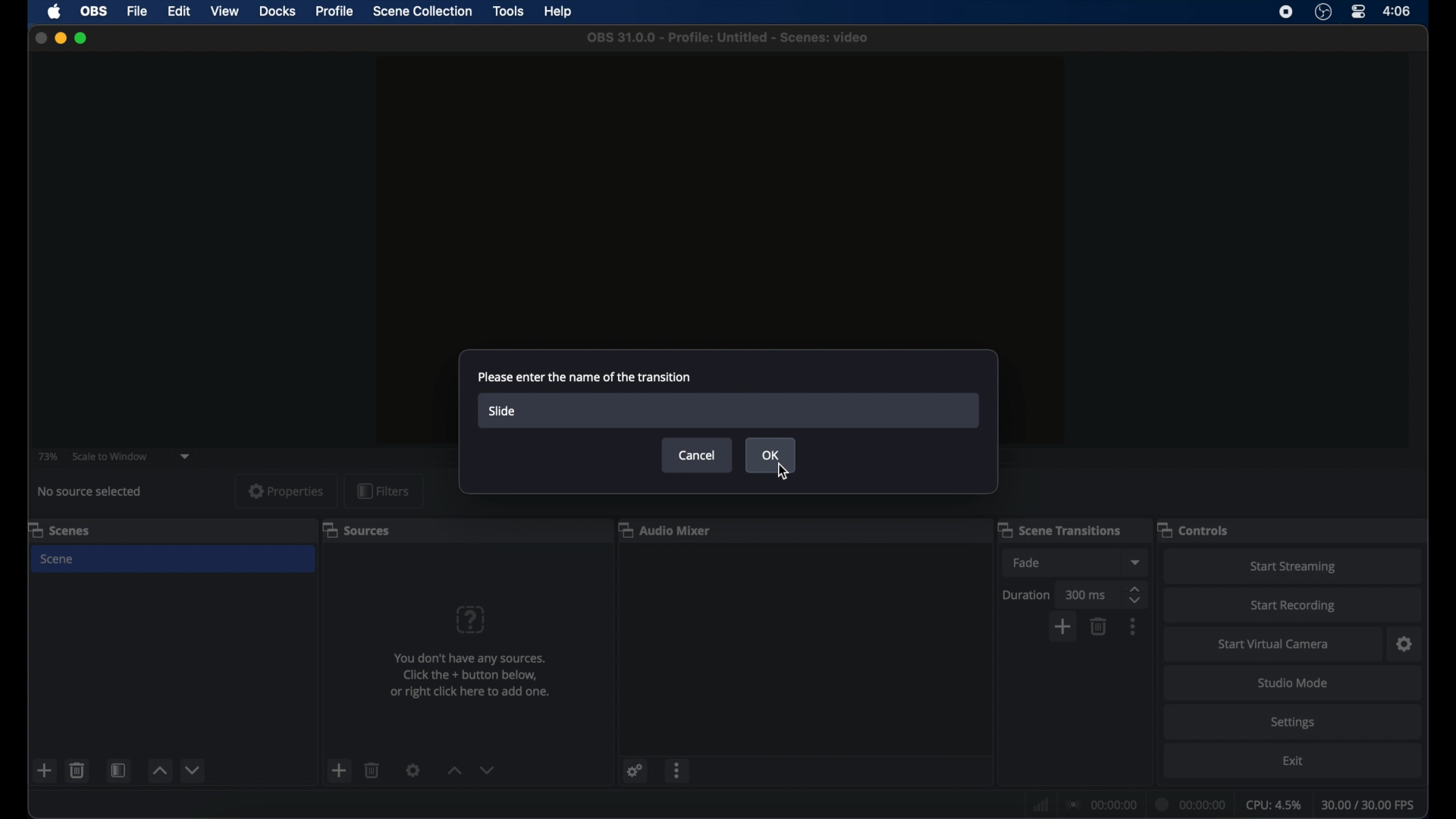 The width and height of the screenshot is (1456, 819). Describe the element at coordinates (1405, 645) in the screenshot. I see `settings` at that location.